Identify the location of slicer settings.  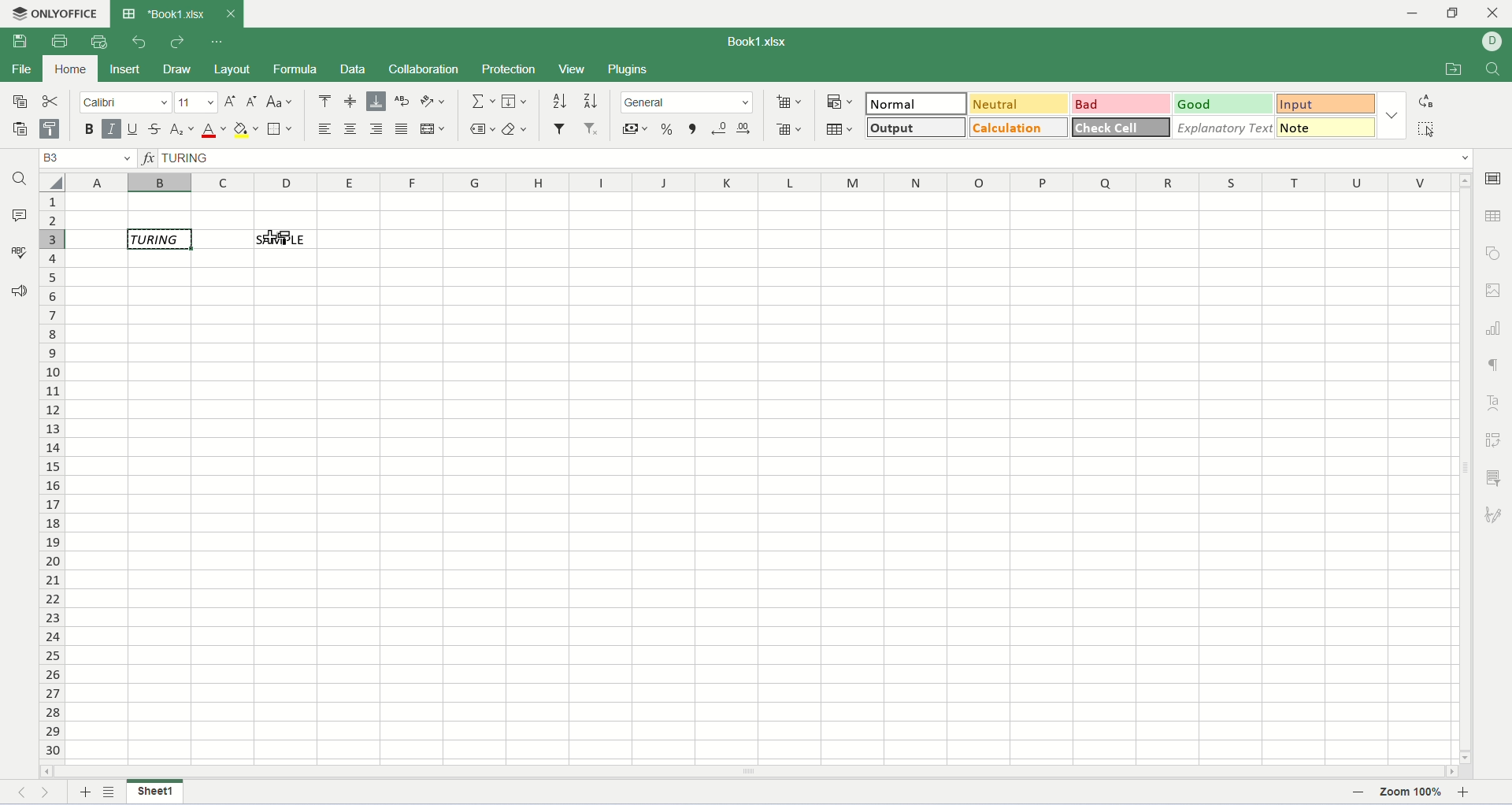
(1494, 477).